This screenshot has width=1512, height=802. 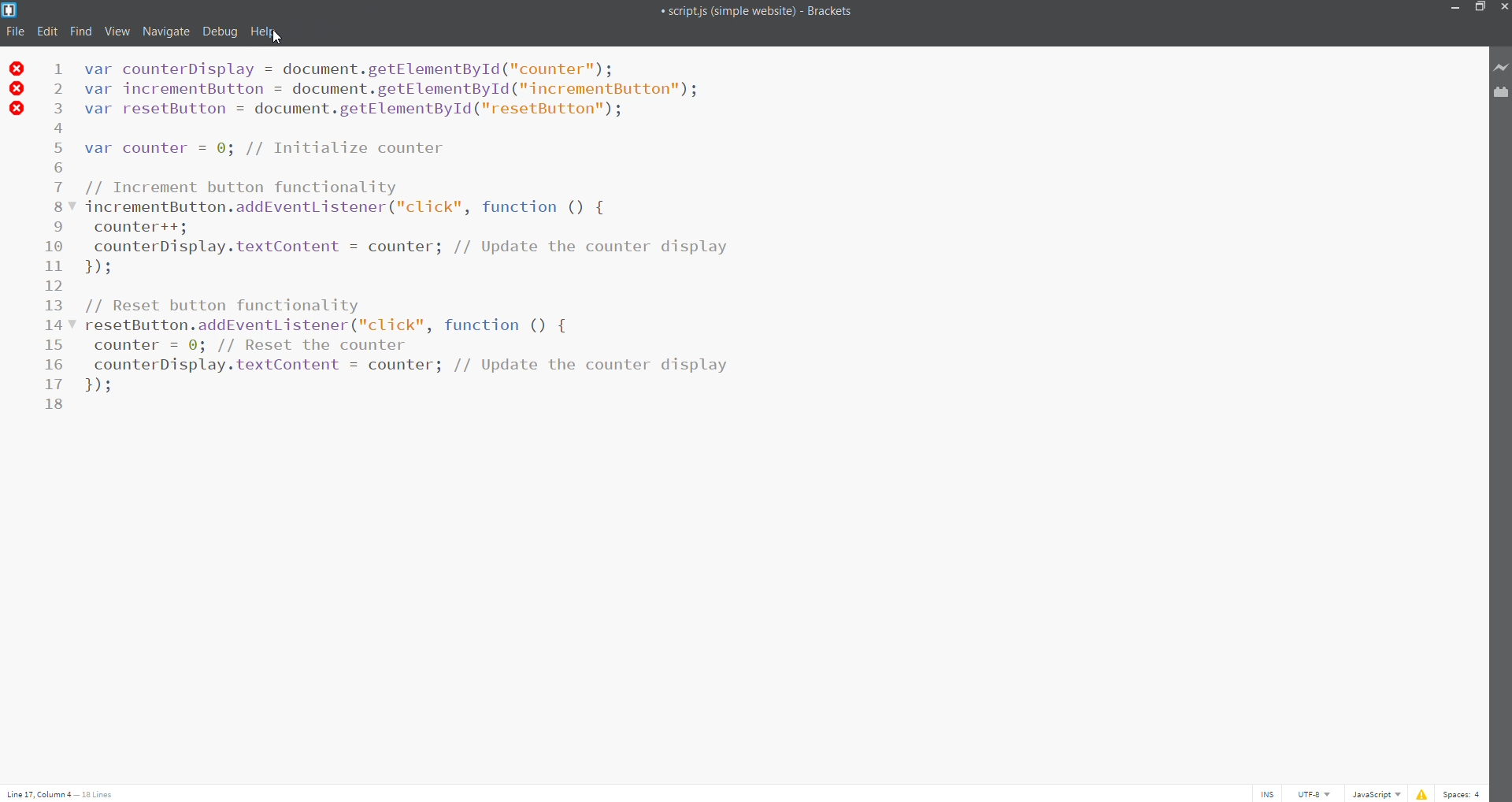 I want to click on find, so click(x=78, y=32).